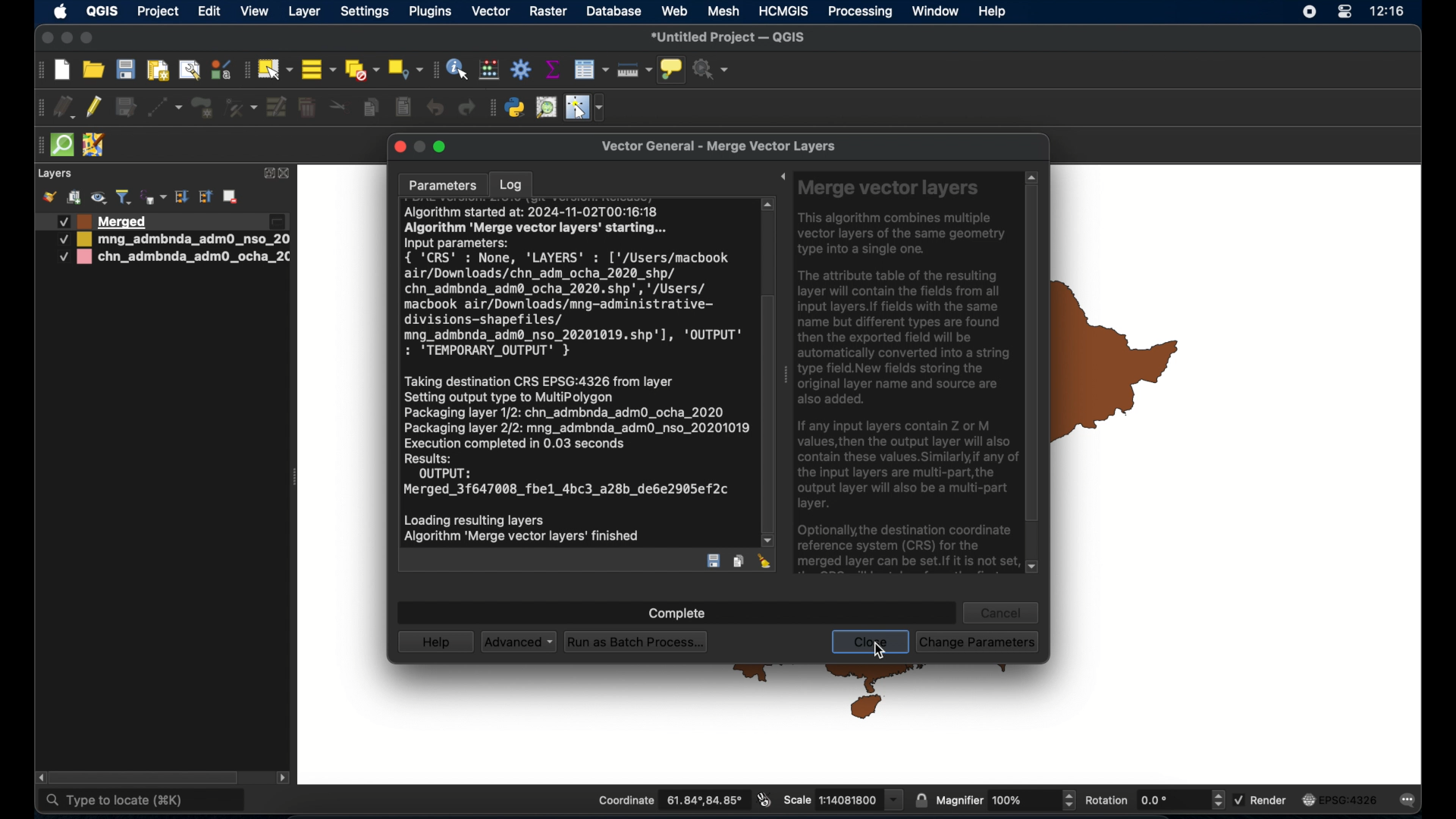  What do you see at coordinates (420, 146) in the screenshot?
I see `minimize` at bounding box center [420, 146].